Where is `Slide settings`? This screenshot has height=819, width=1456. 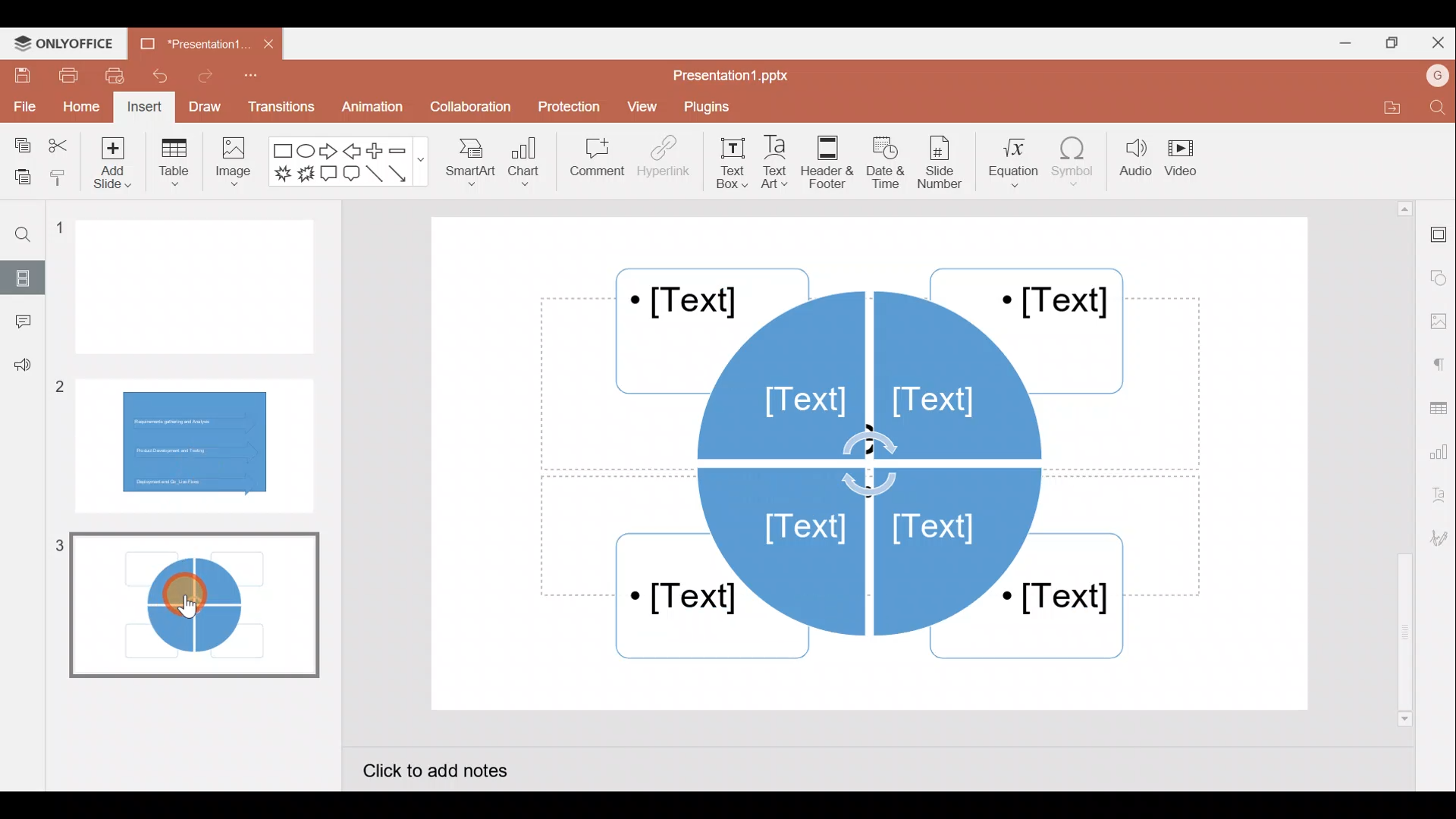 Slide settings is located at coordinates (1437, 236).